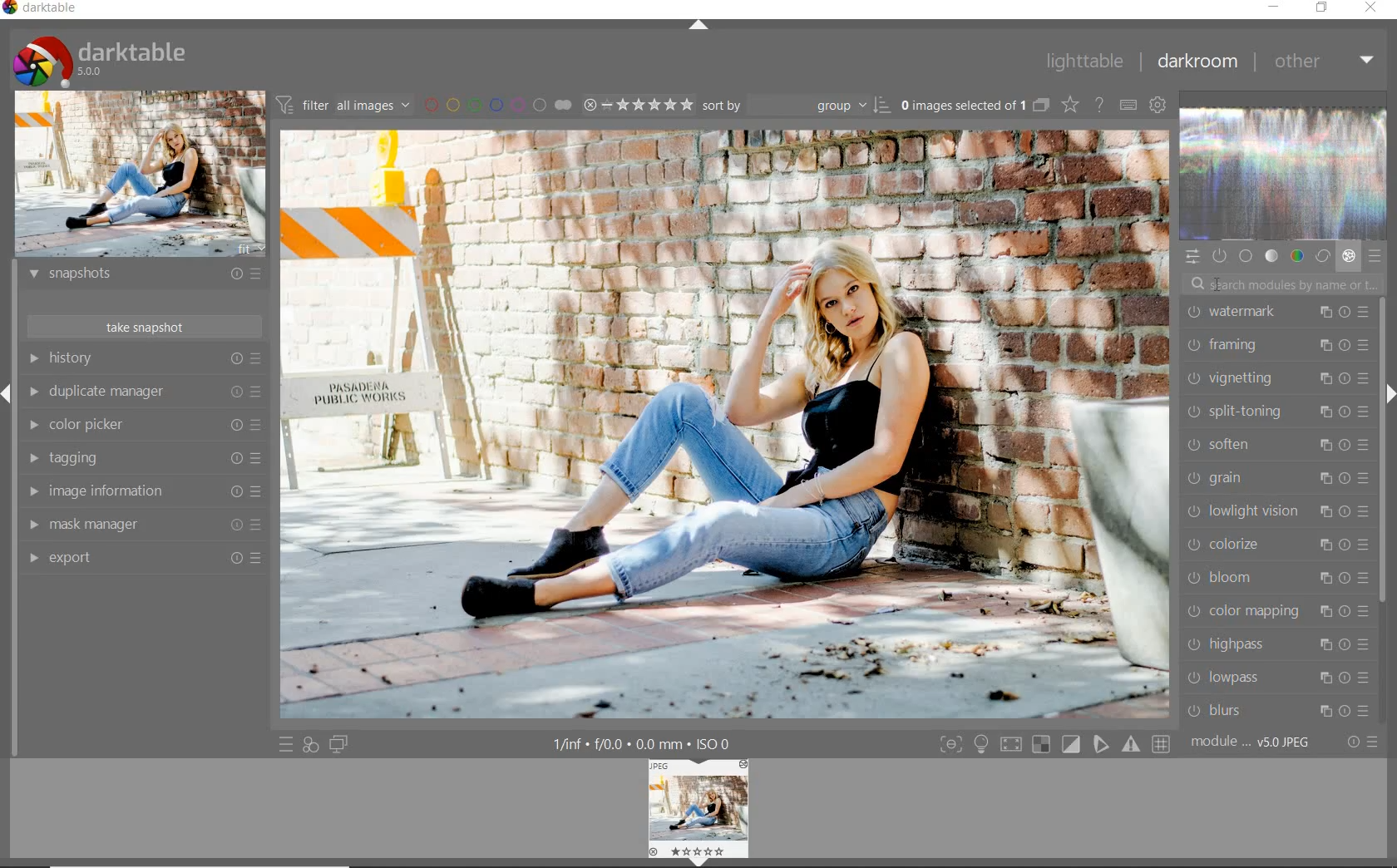 This screenshot has width=1397, height=868. I want to click on image preview, so click(698, 812).